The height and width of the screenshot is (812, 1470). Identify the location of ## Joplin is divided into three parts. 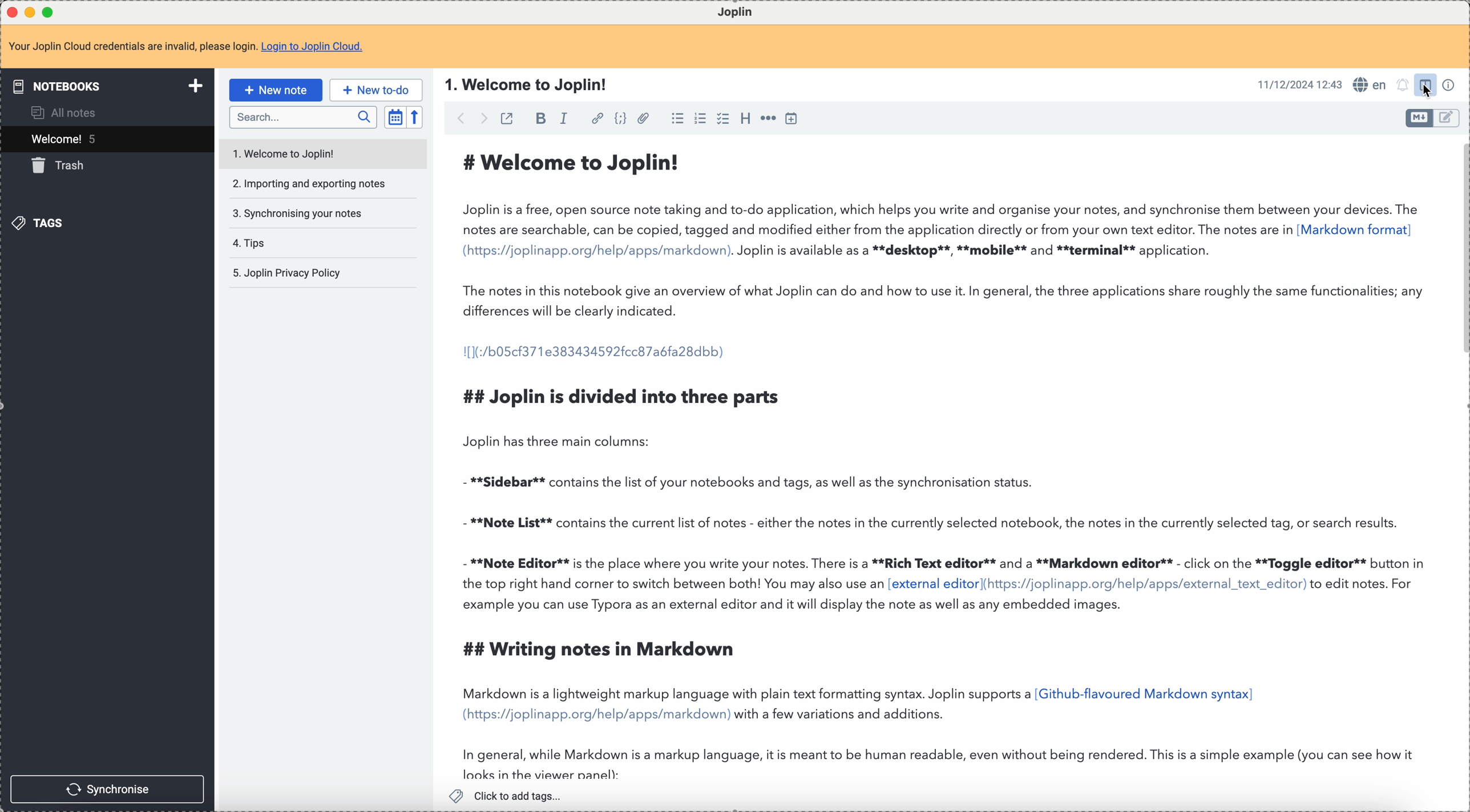
(623, 398).